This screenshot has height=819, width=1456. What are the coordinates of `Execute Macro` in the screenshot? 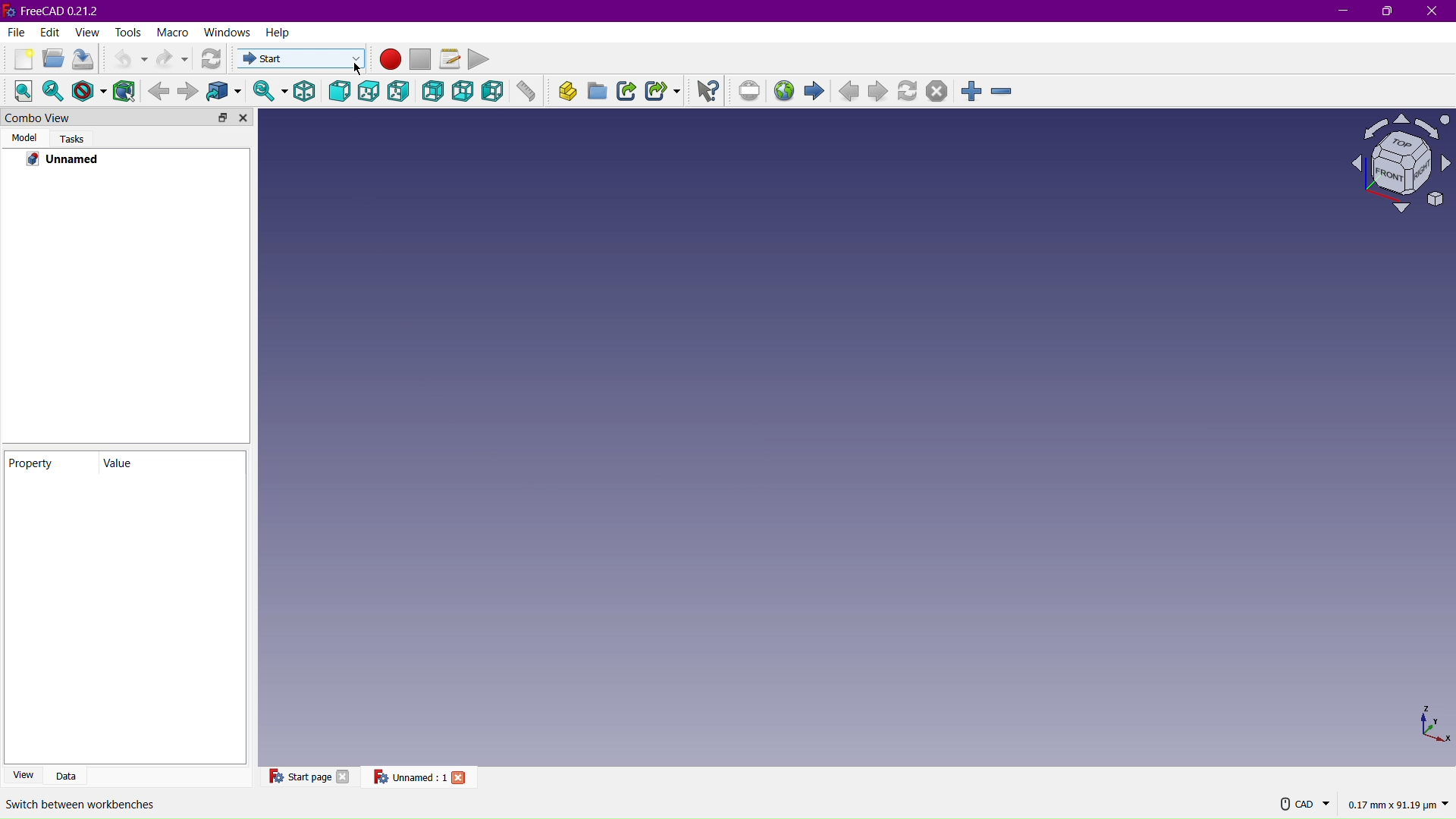 It's located at (480, 58).